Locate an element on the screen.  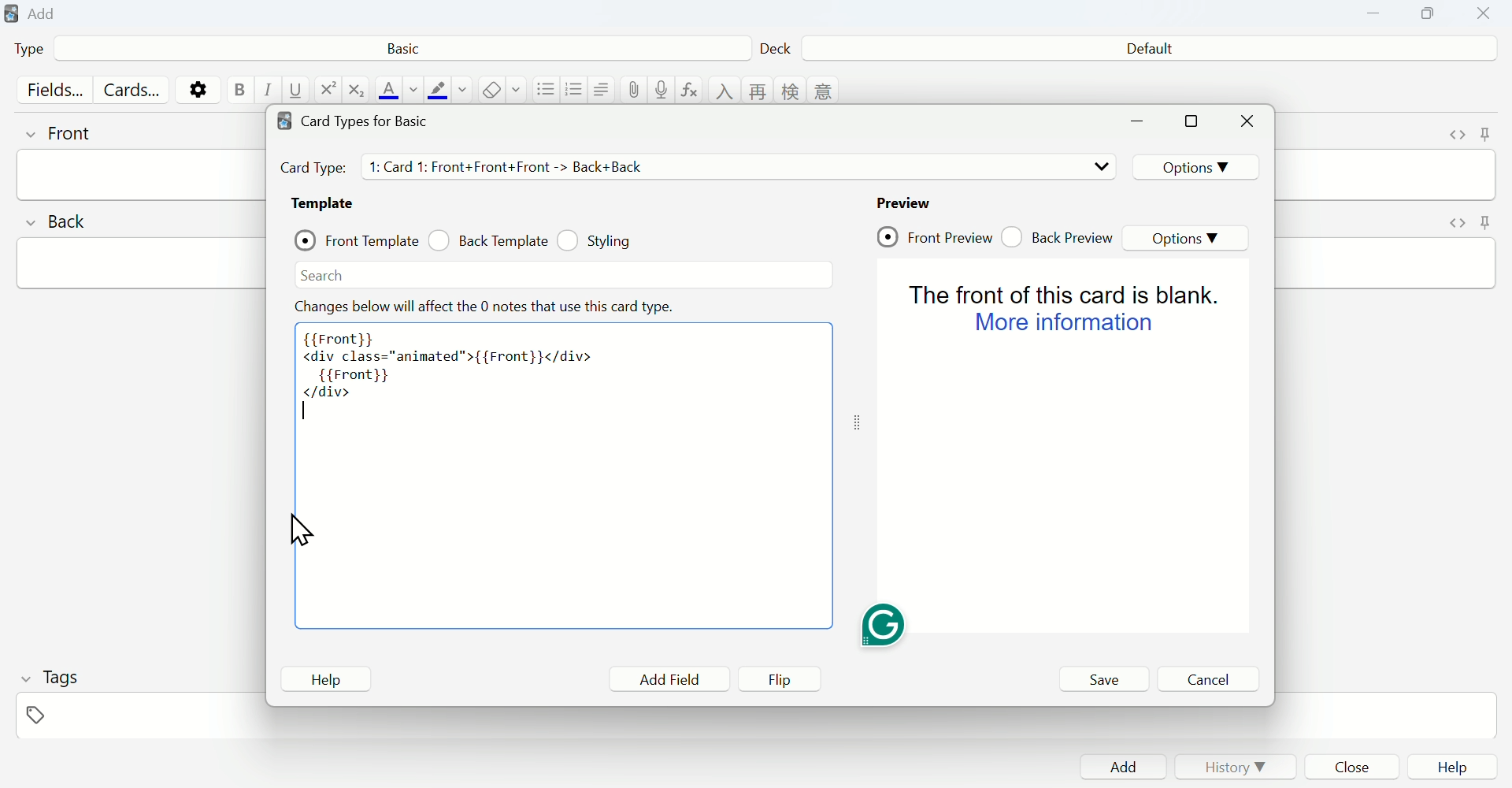
Add Field is located at coordinates (673, 679).